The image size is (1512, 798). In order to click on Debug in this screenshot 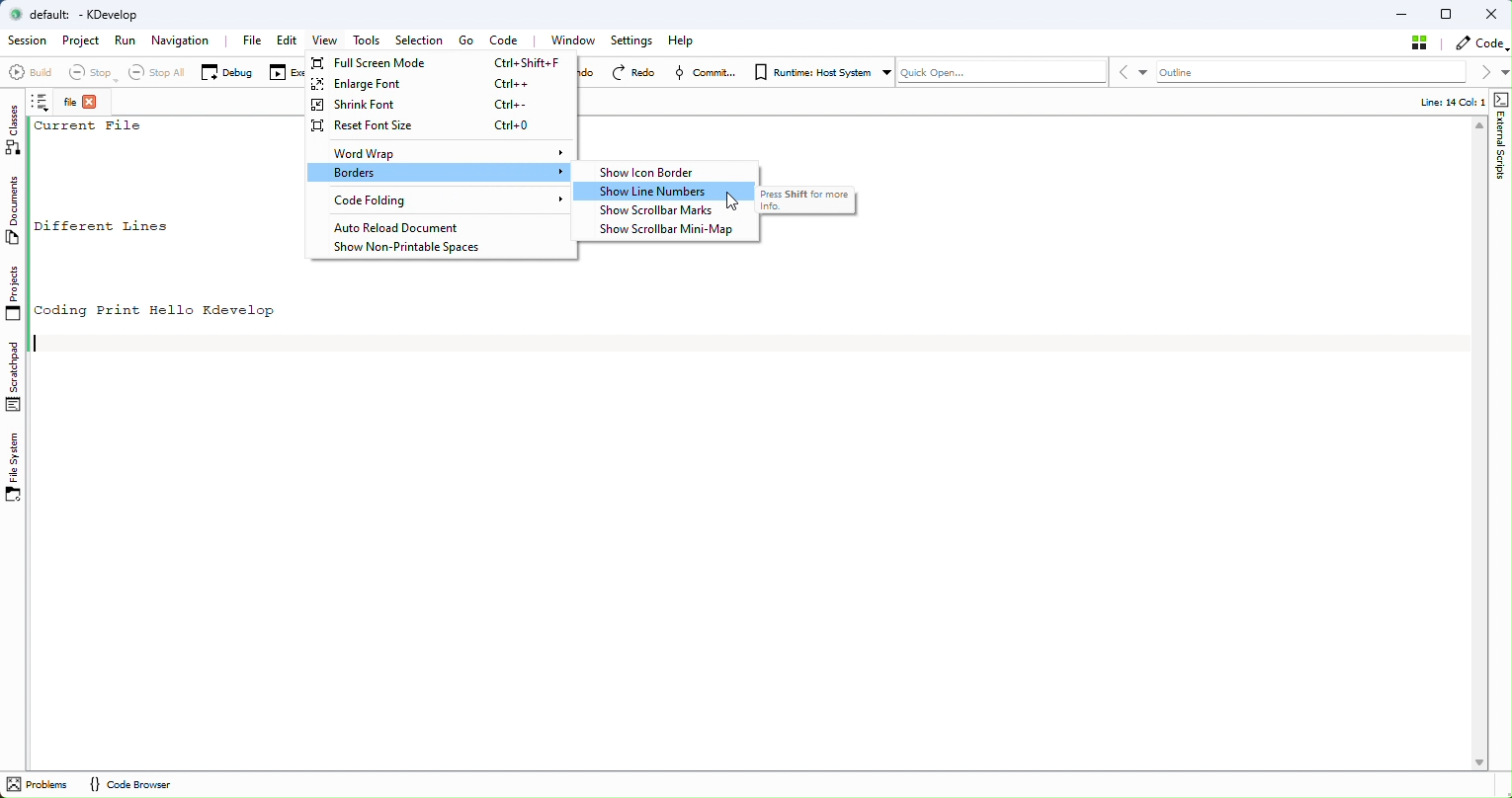, I will do `click(226, 71)`.